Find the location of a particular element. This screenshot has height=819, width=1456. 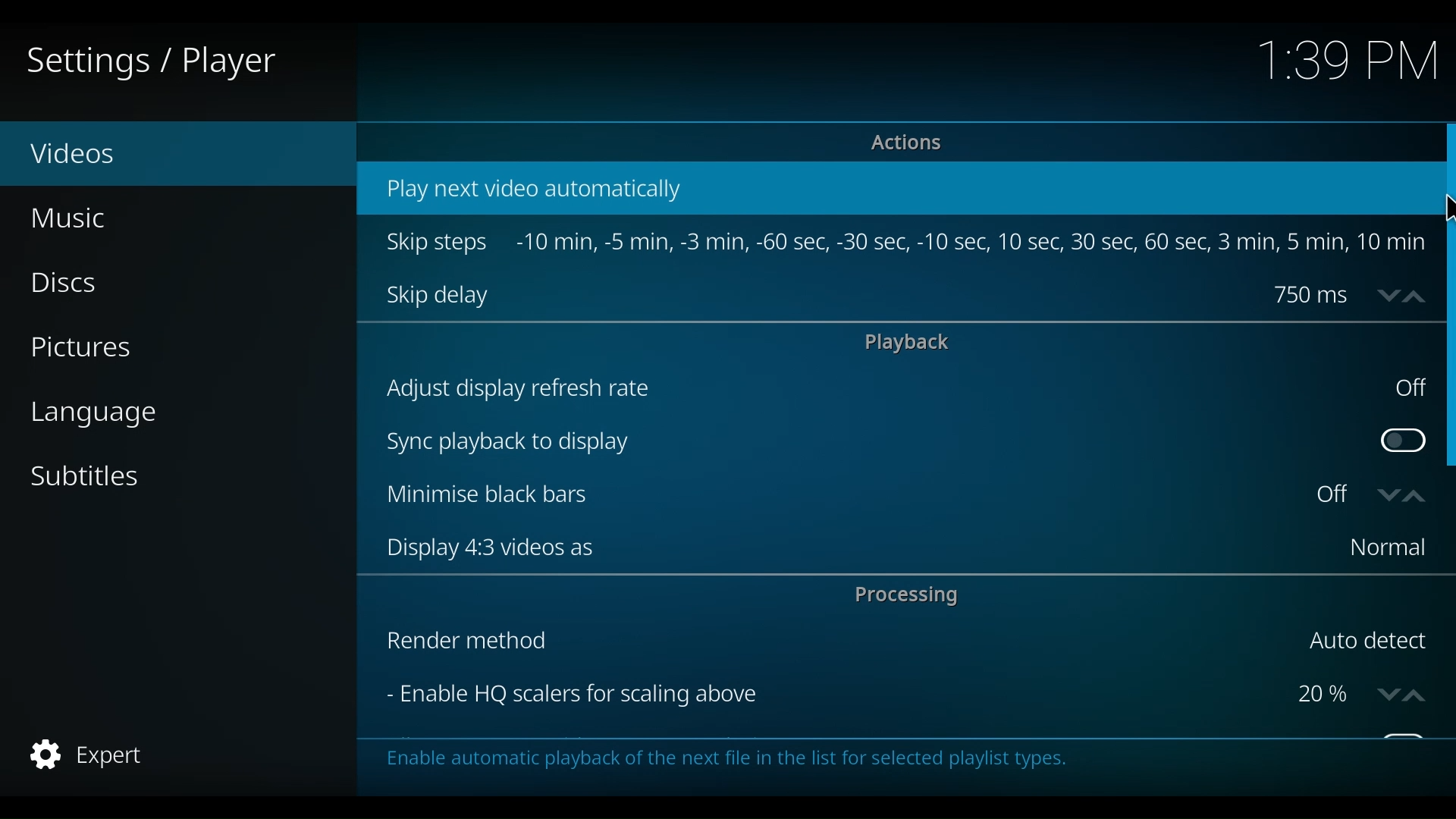

up is located at coordinates (1413, 695).